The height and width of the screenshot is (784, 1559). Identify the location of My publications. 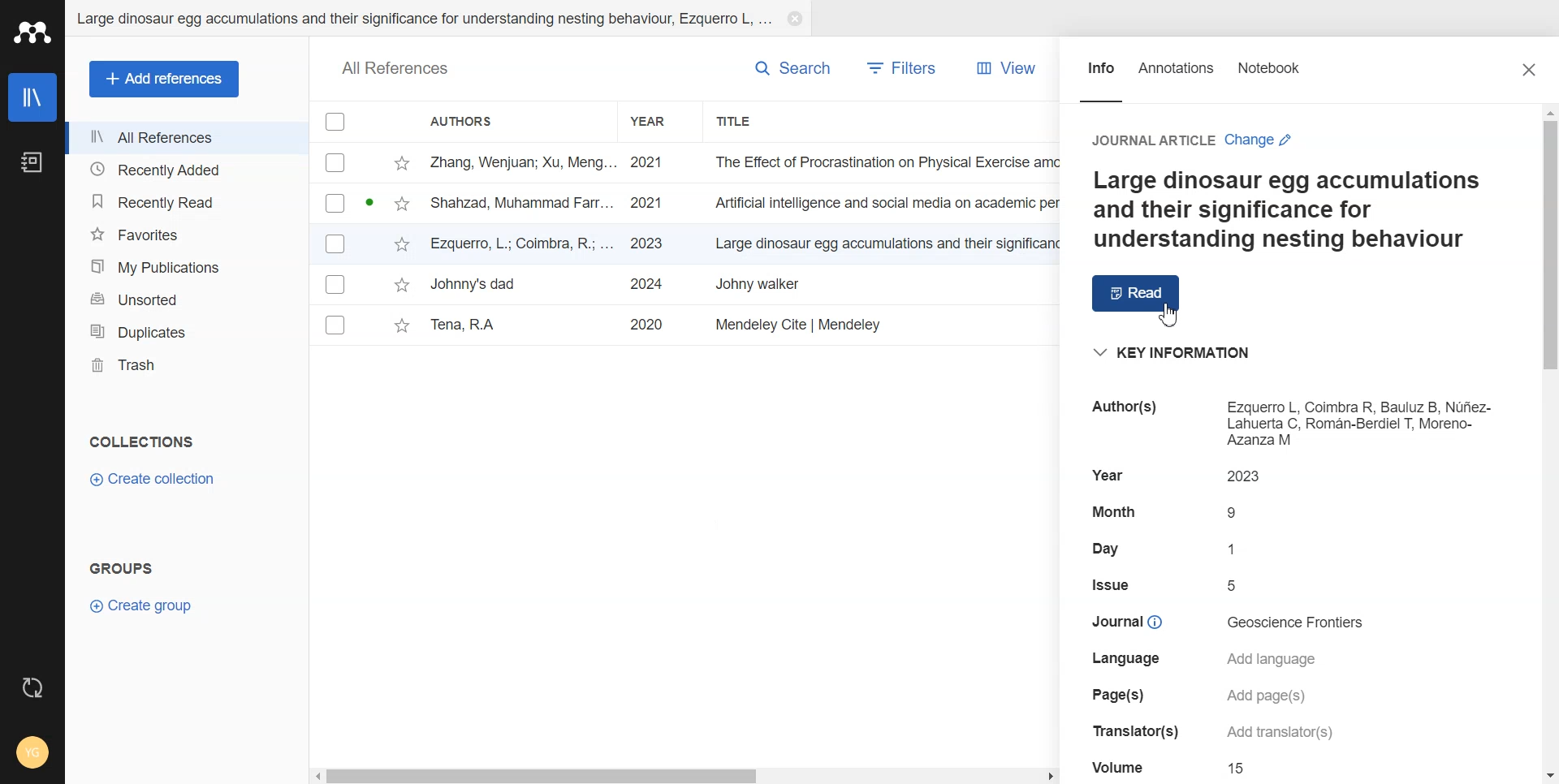
(184, 265).